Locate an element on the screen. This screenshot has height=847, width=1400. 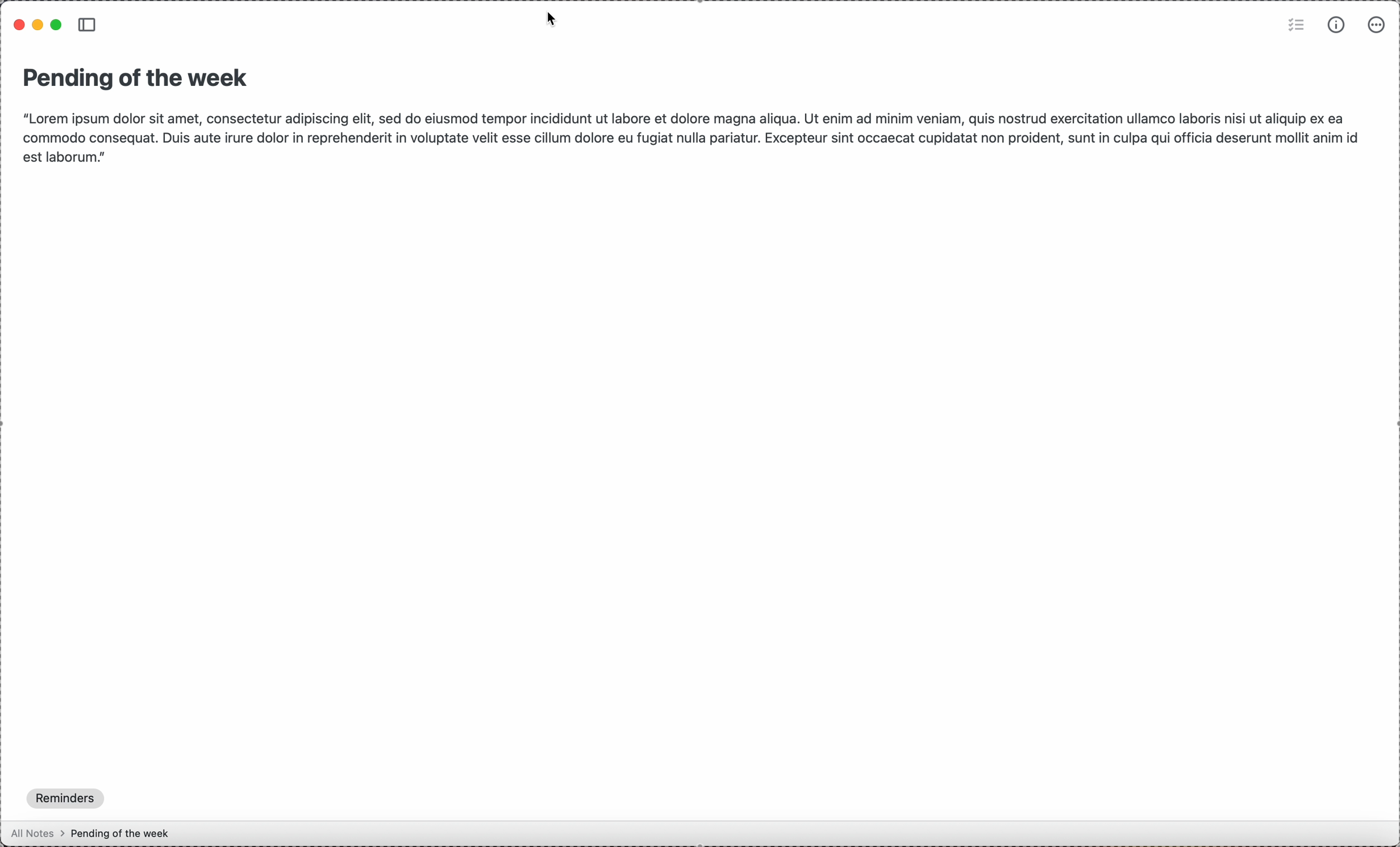
all notes > pending of the week is located at coordinates (95, 832).